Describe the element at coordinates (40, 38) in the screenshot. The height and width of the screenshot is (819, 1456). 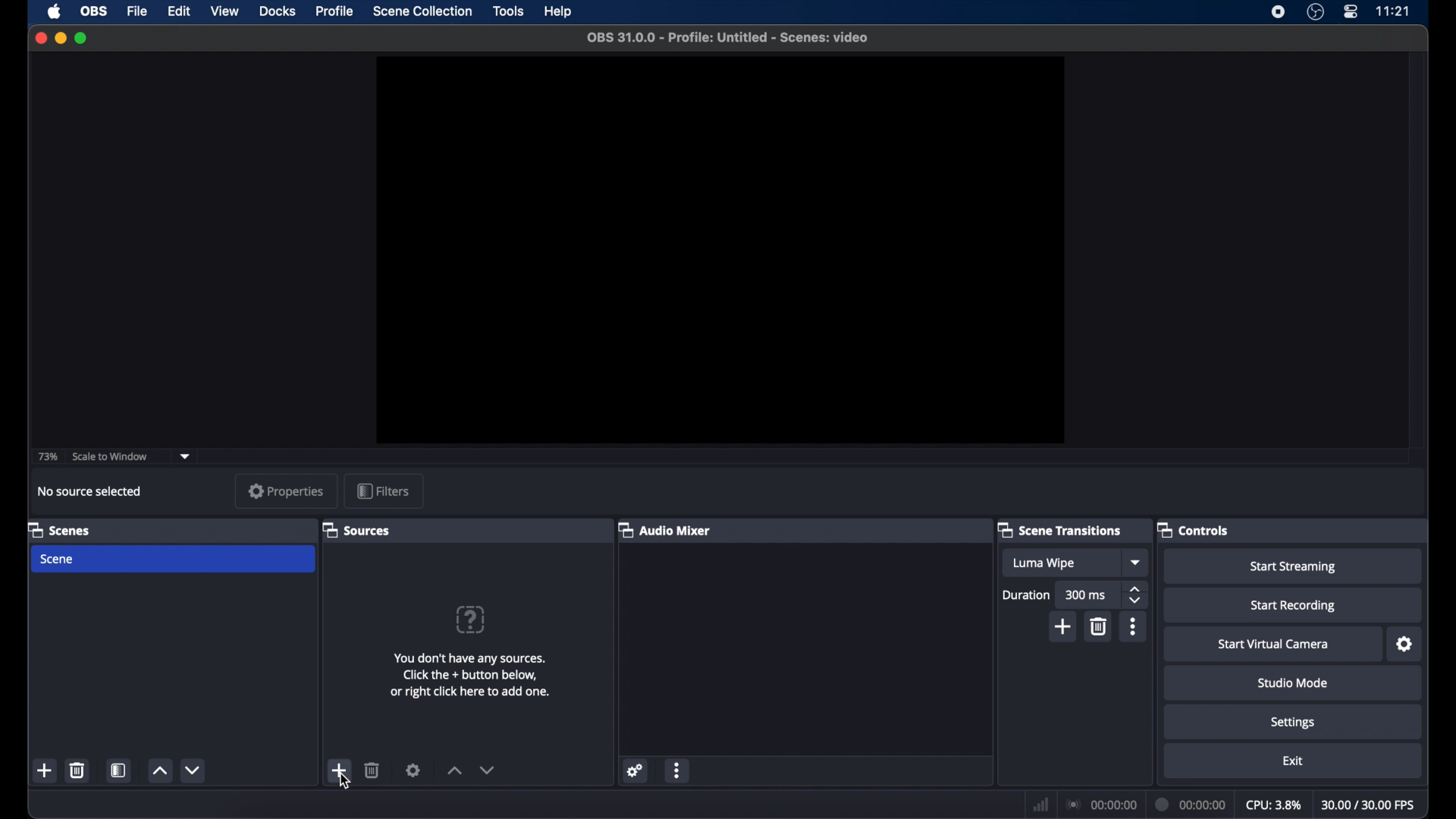
I see `close` at that location.